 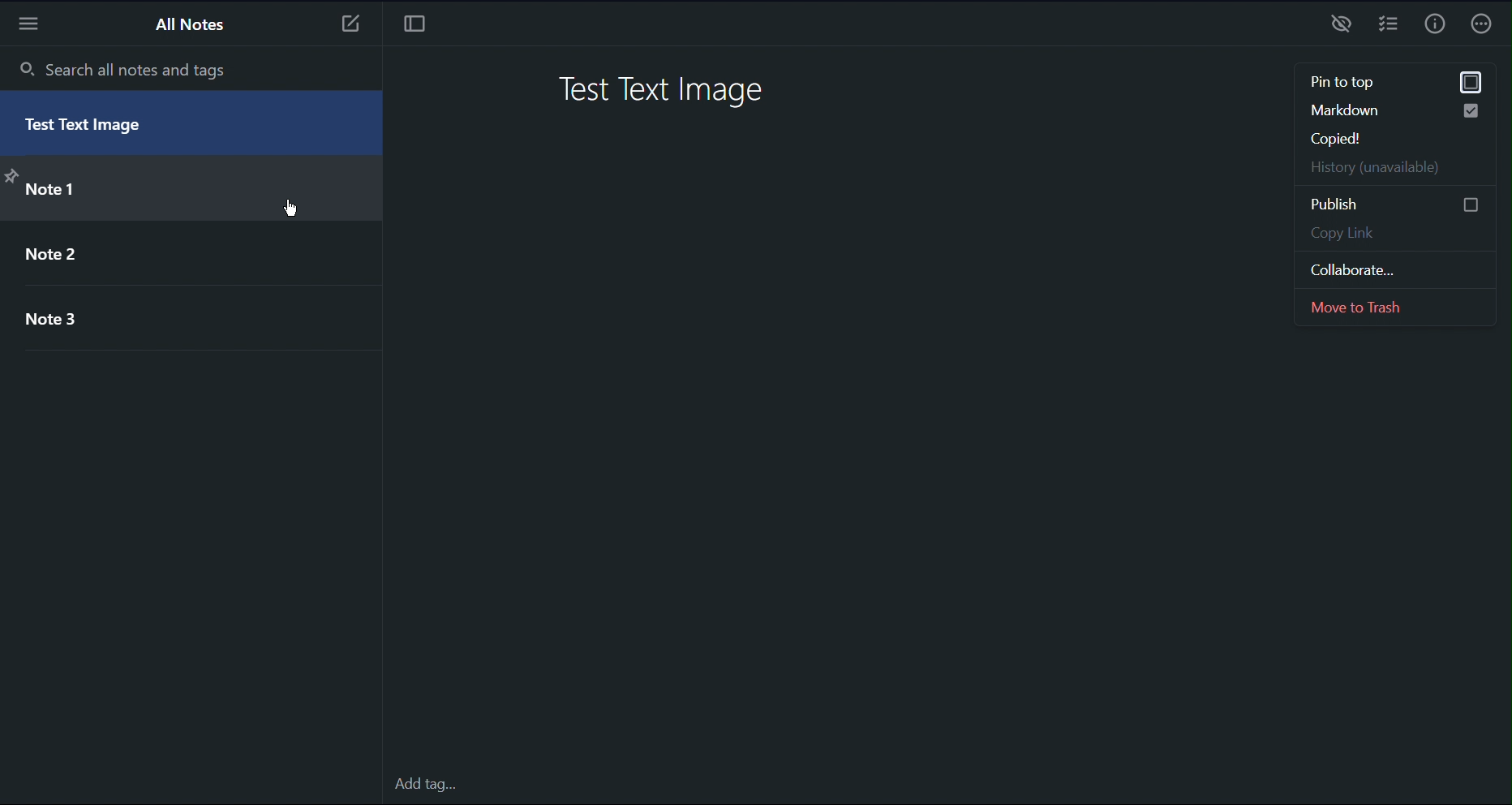 What do you see at coordinates (67, 325) in the screenshot?
I see `Note 3` at bounding box center [67, 325].